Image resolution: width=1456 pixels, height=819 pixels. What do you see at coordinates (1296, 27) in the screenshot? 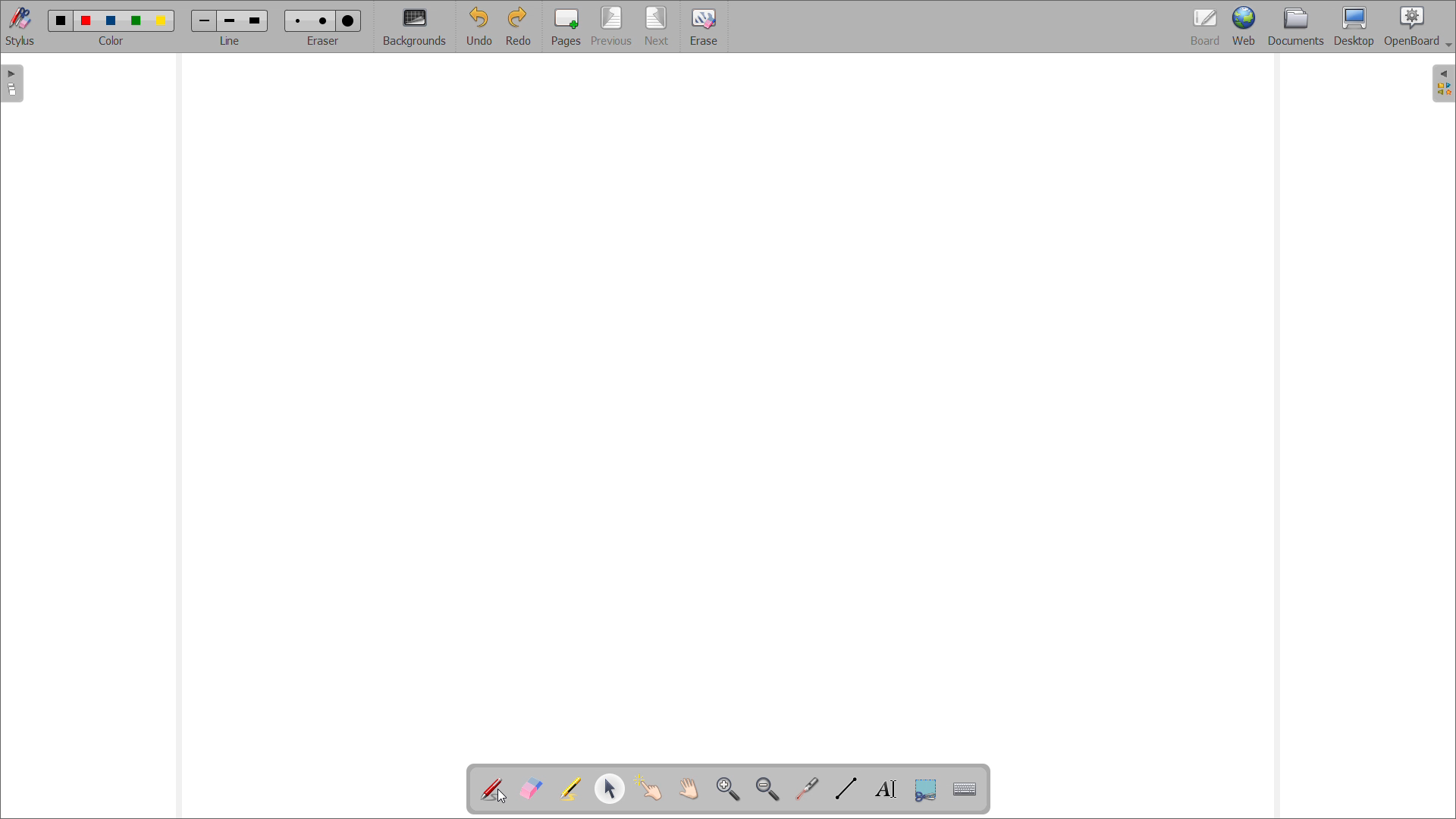
I see `documents` at bounding box center [1296, 27].